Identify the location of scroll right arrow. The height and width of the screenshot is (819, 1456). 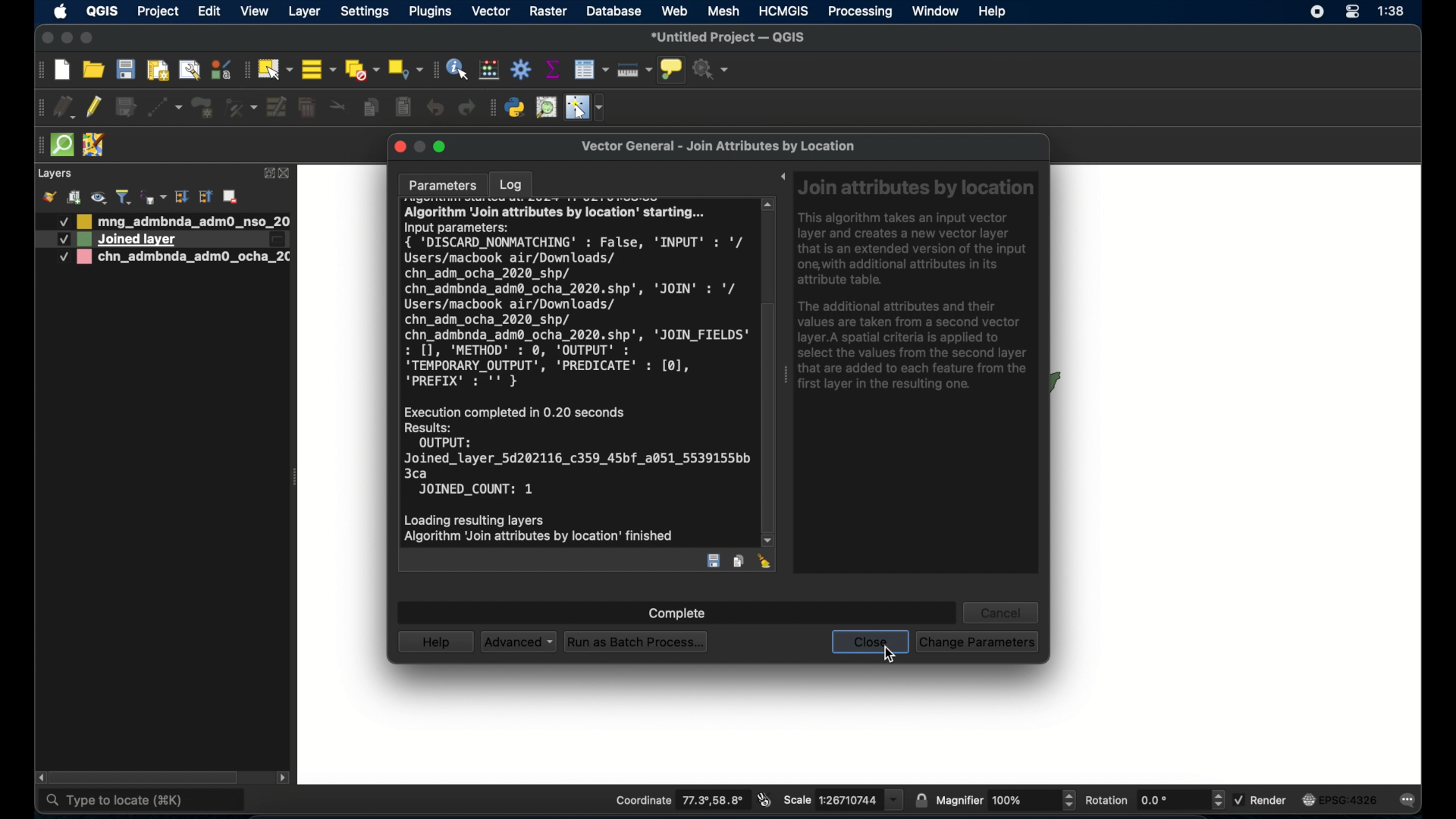
(287, 777).